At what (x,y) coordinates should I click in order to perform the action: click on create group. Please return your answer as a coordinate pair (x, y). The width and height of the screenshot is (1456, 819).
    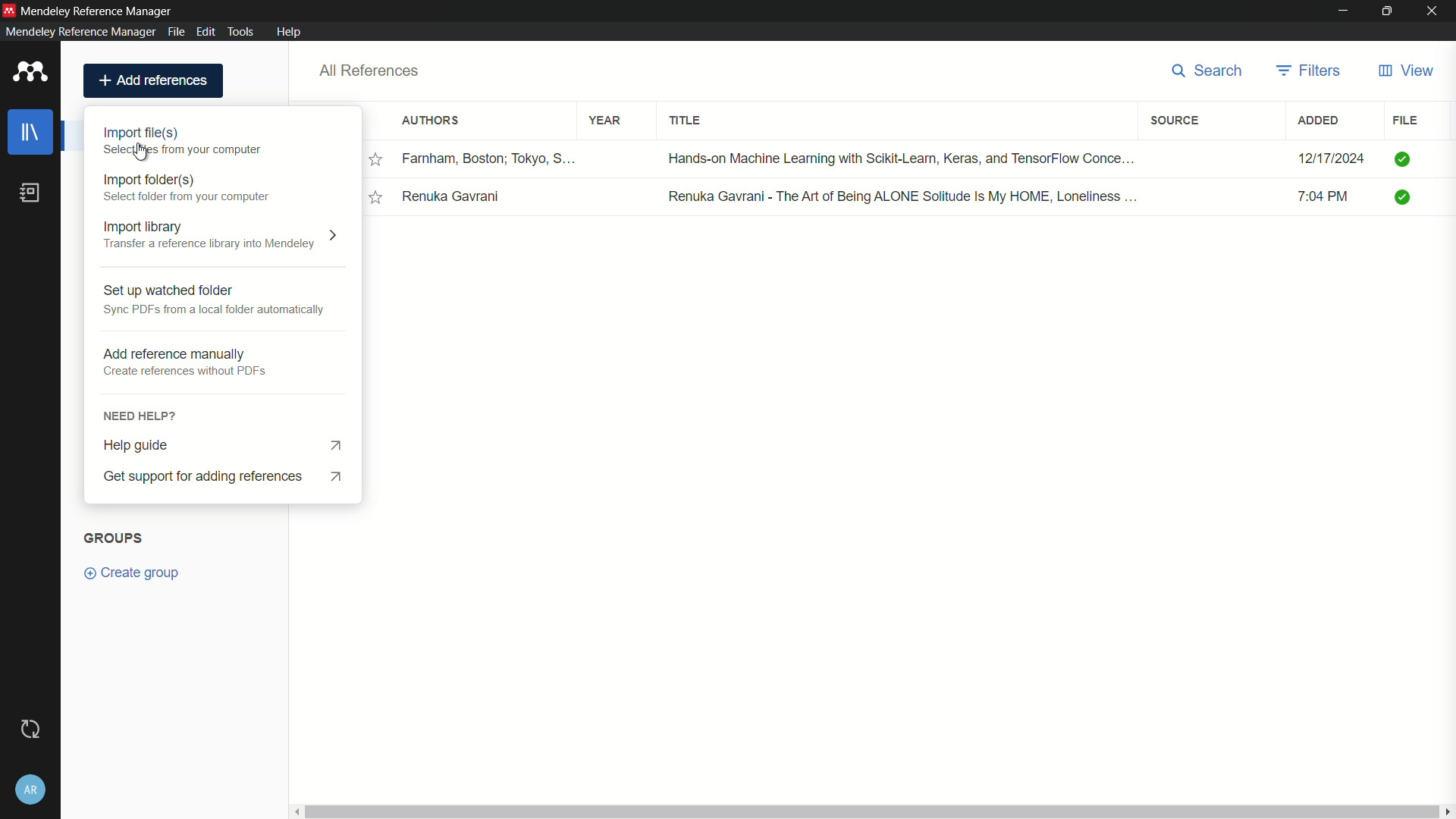
    Looking at the image, I should click on (135, 573).